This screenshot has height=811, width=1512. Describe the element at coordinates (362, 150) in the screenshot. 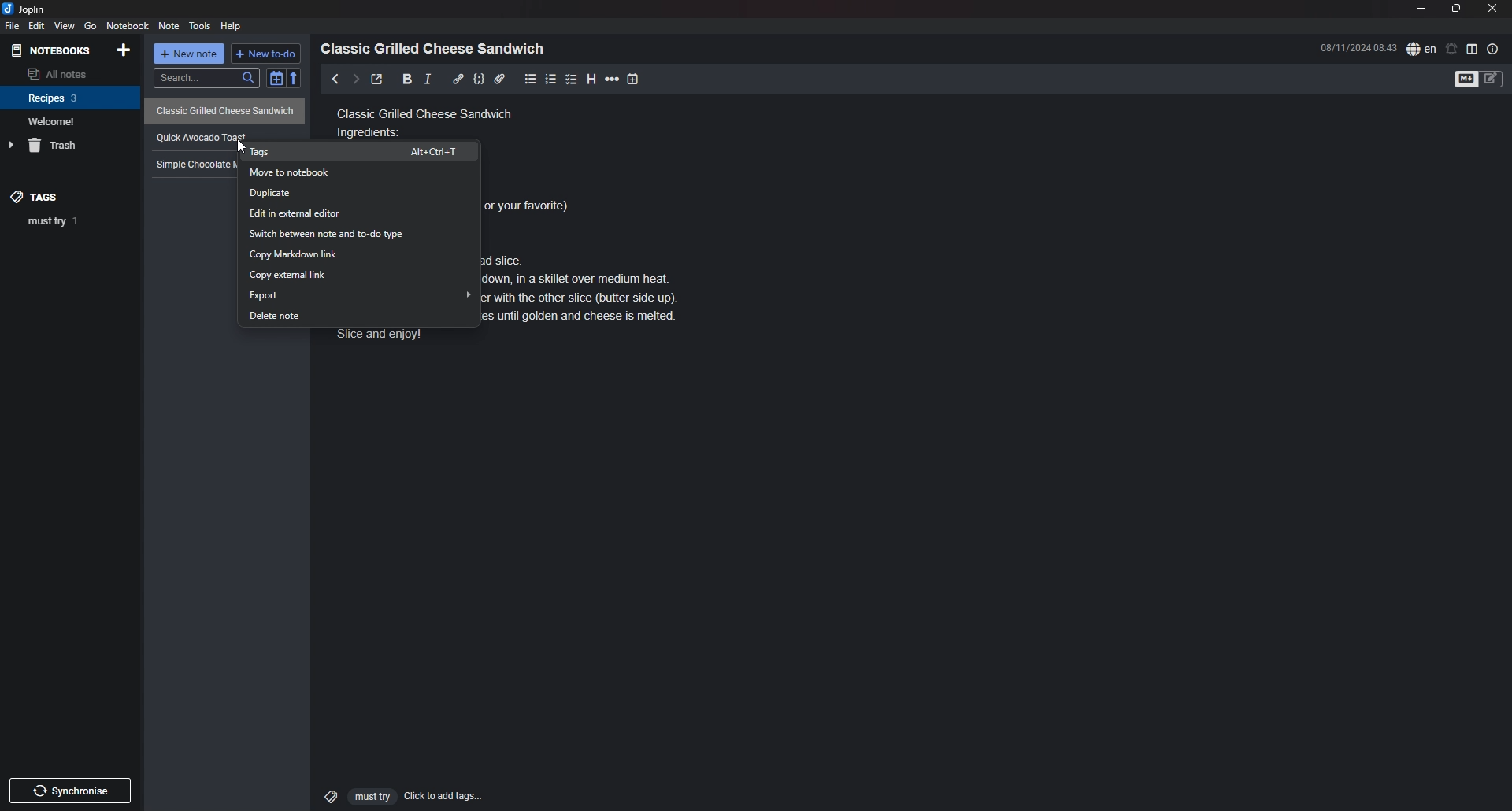

I see `tags` at that location.